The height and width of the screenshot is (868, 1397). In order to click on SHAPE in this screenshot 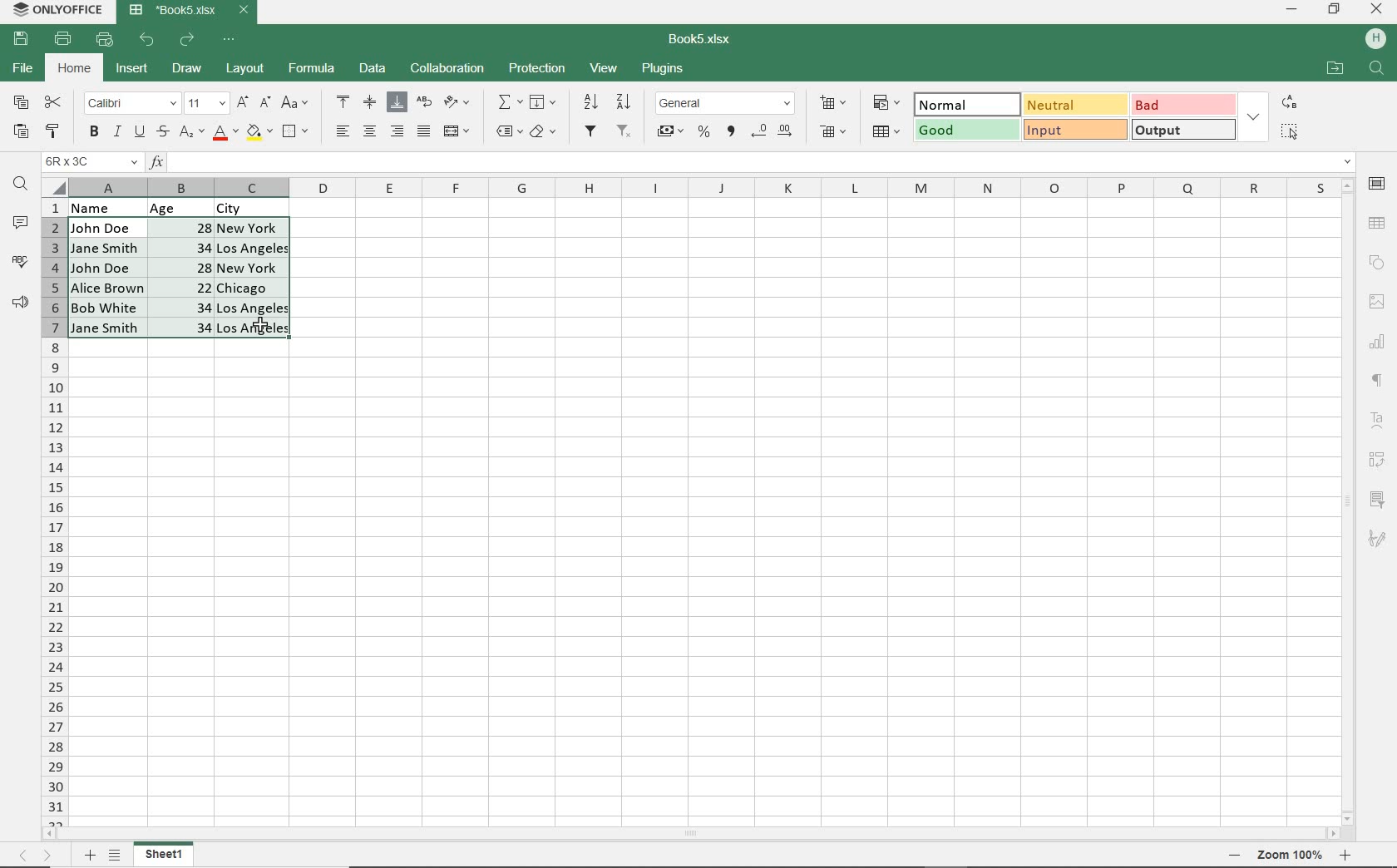, I will do `click(1376, 263)`.